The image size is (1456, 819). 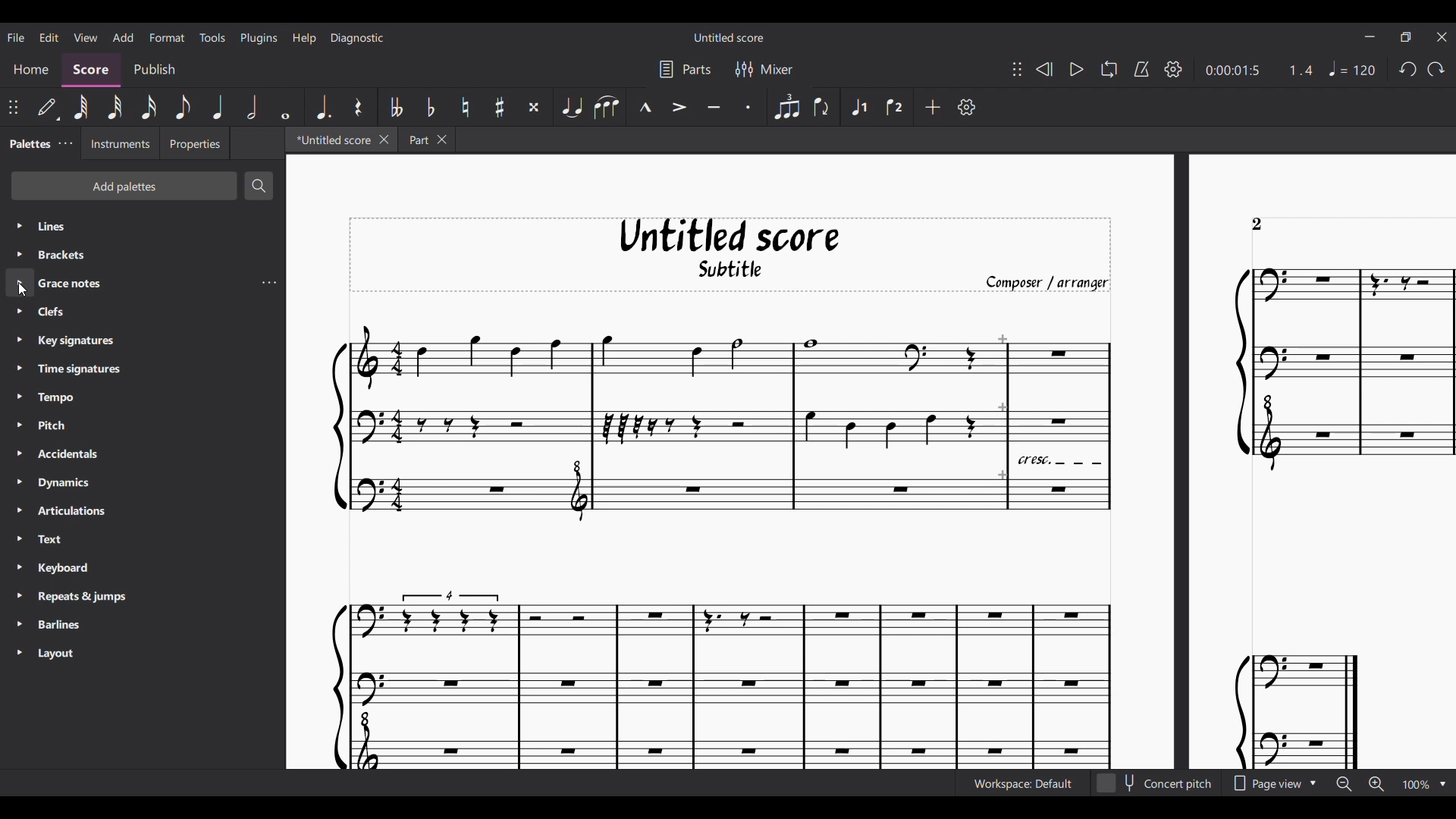 I want to click on Zoom options , so click(x=1443, y=784).